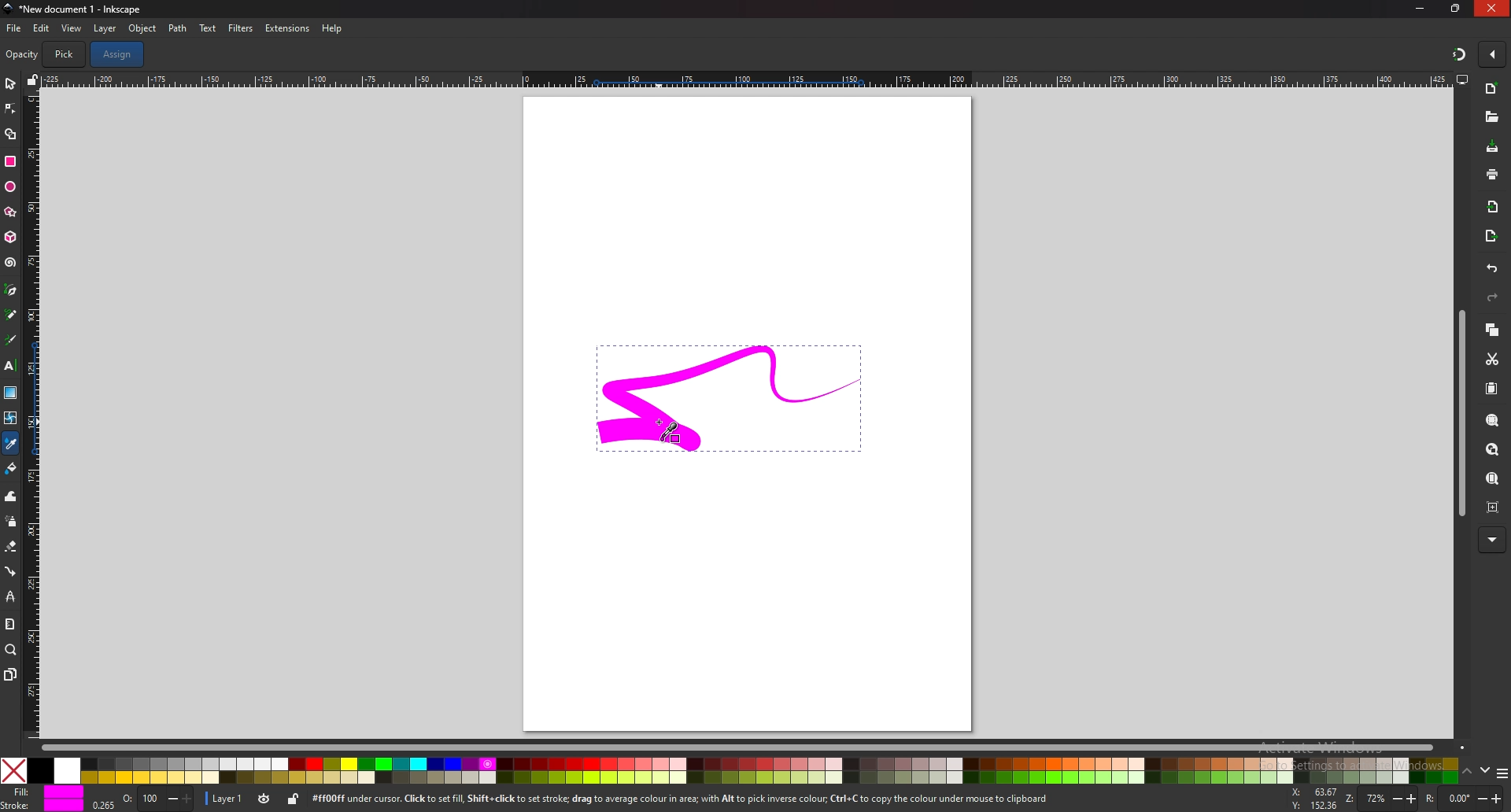  Describe the element at coordinates (744, 79) in the screenshot. I see `horizontal scale` at that location.